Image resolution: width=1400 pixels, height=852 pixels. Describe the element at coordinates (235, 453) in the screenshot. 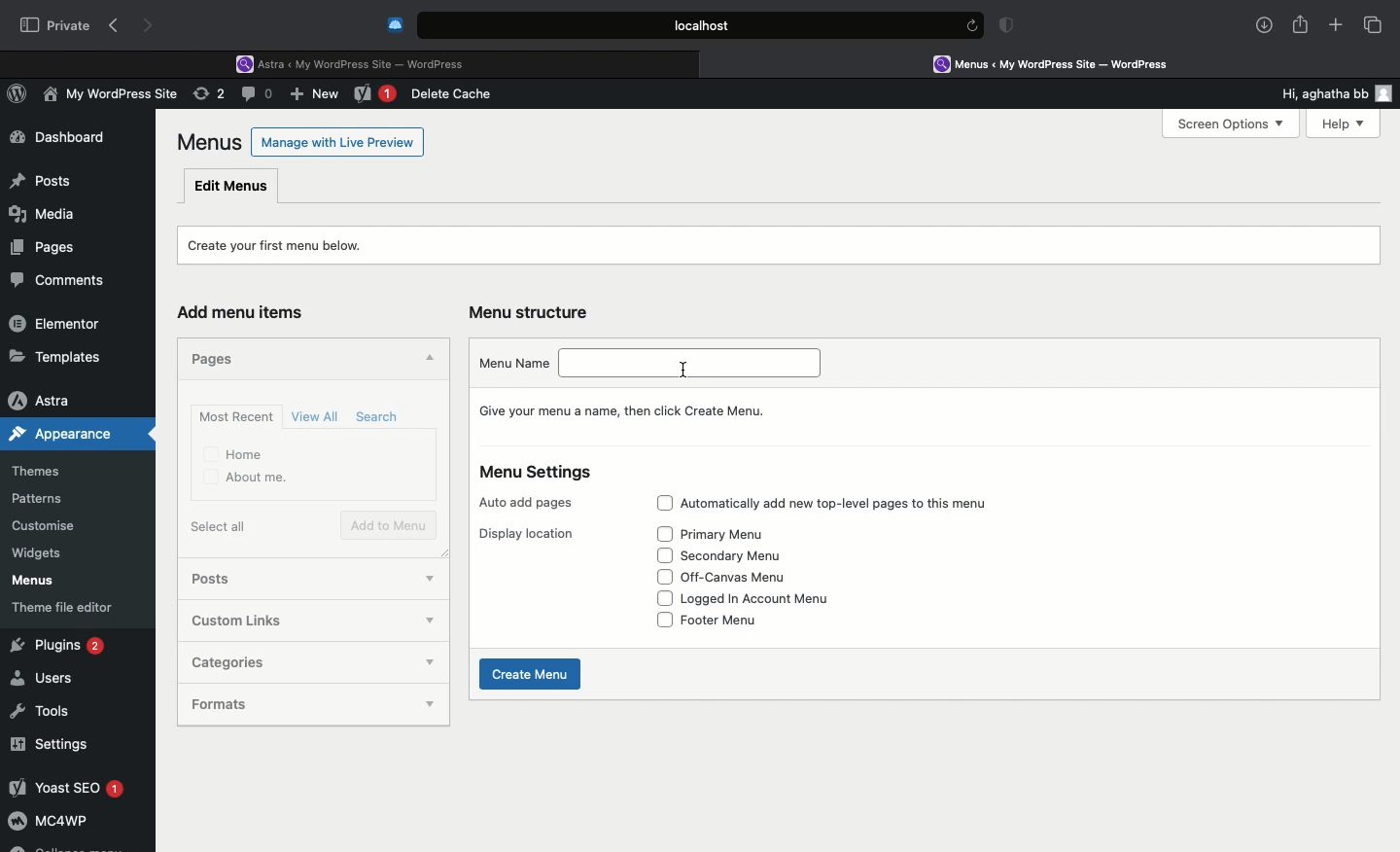

I see `Home` at that location.